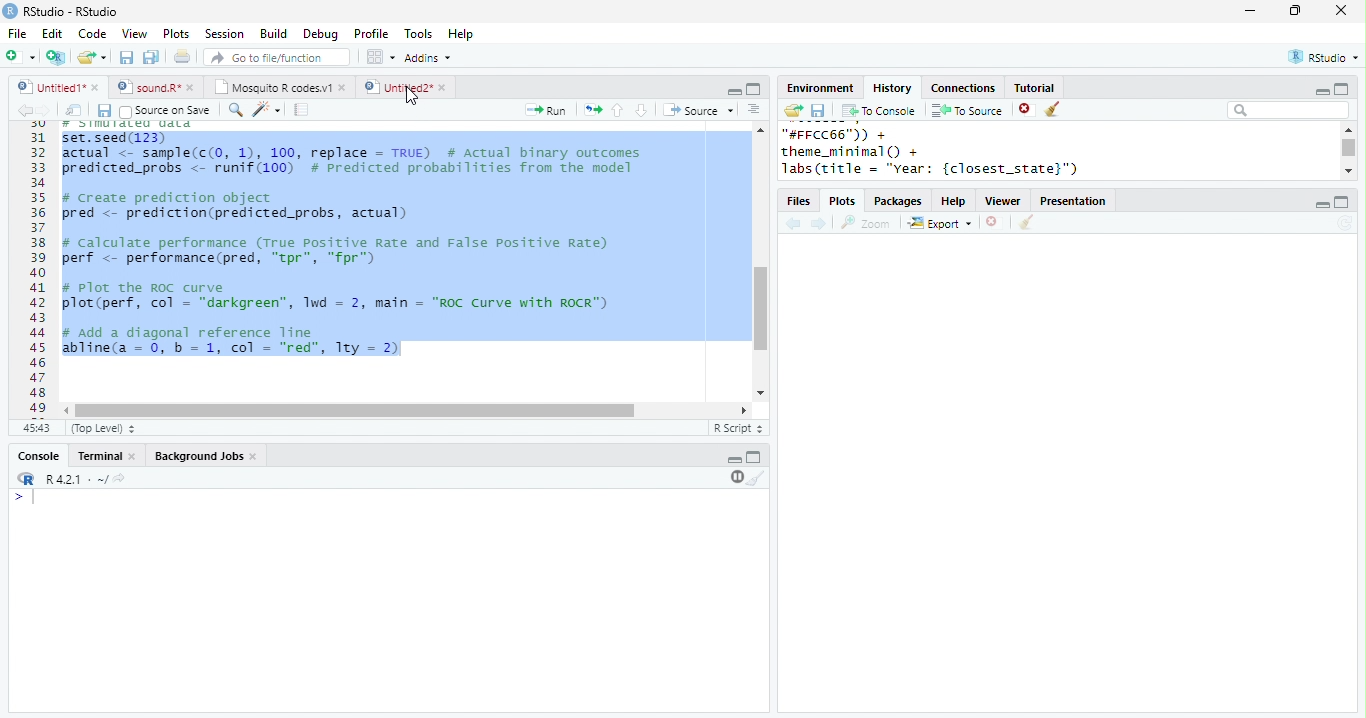 This screenshot has width=1366, height=718. I want to click on close, so click(1342, 10).